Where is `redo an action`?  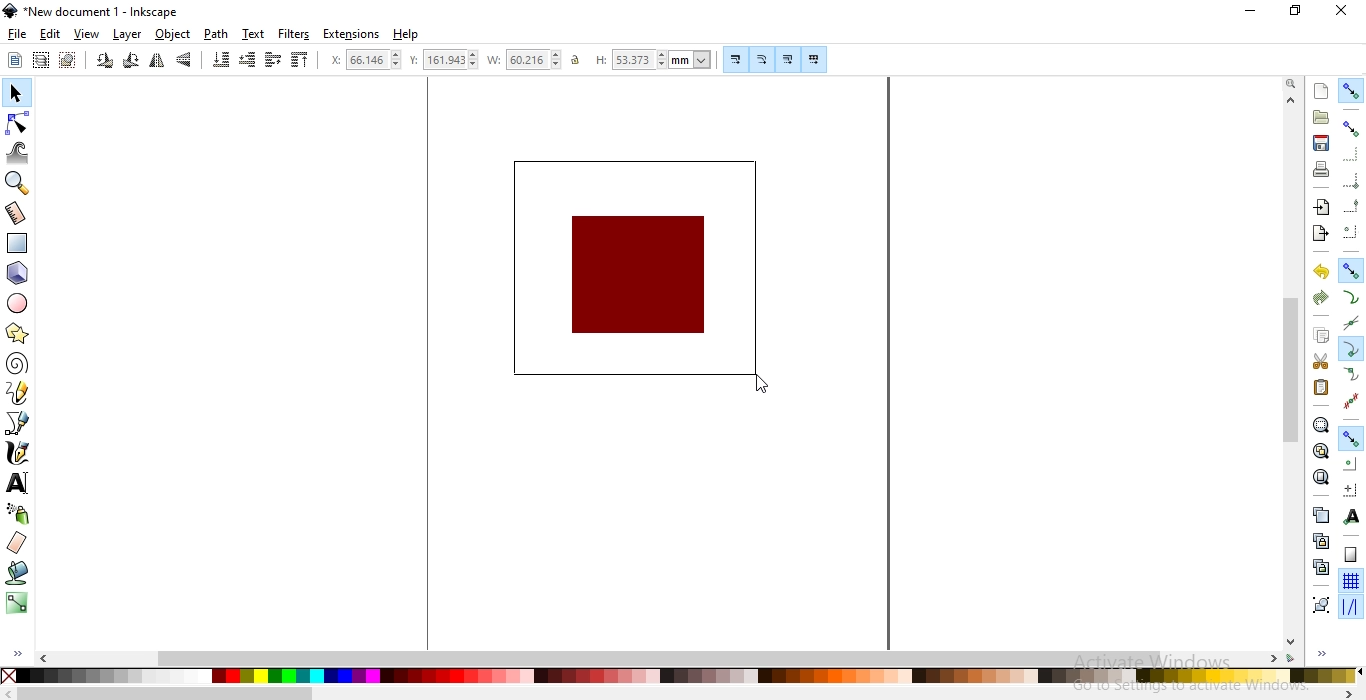
redo an action is located at coordinates (1320, 296).